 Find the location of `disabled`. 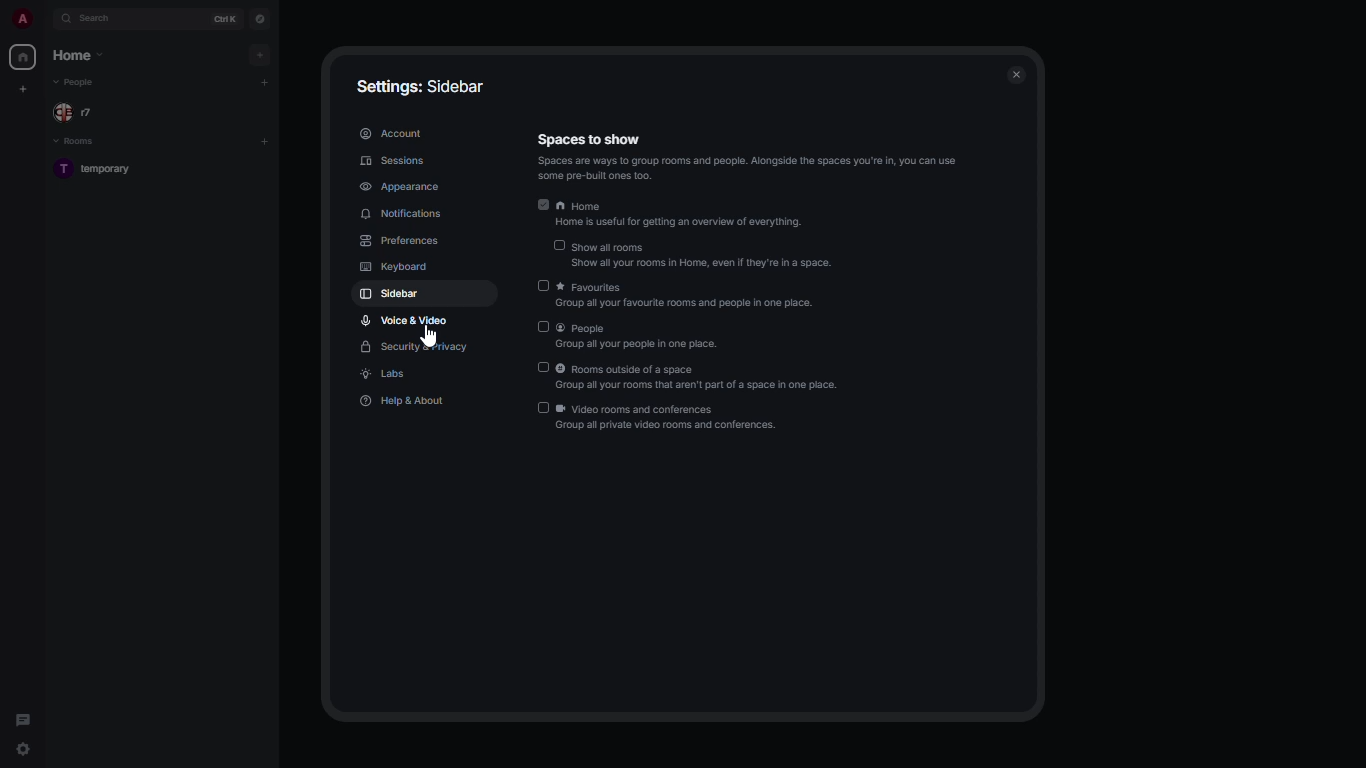

disabled is located at coordinates (544, 366).